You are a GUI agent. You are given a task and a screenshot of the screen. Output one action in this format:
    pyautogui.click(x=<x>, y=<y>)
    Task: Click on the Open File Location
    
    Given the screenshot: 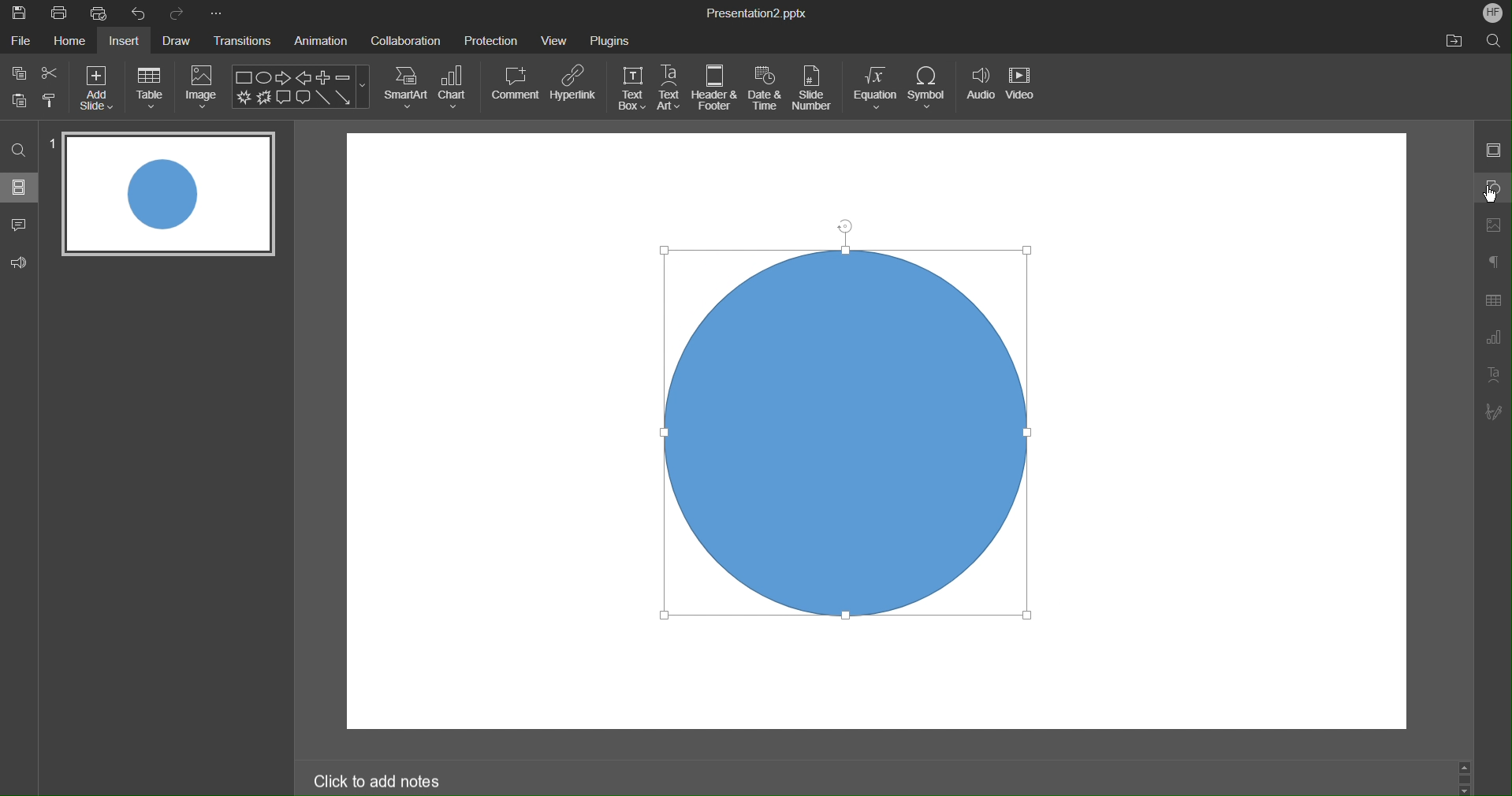 What is the action you would take?
    pyautogui.click(x=1454, y=42)
    